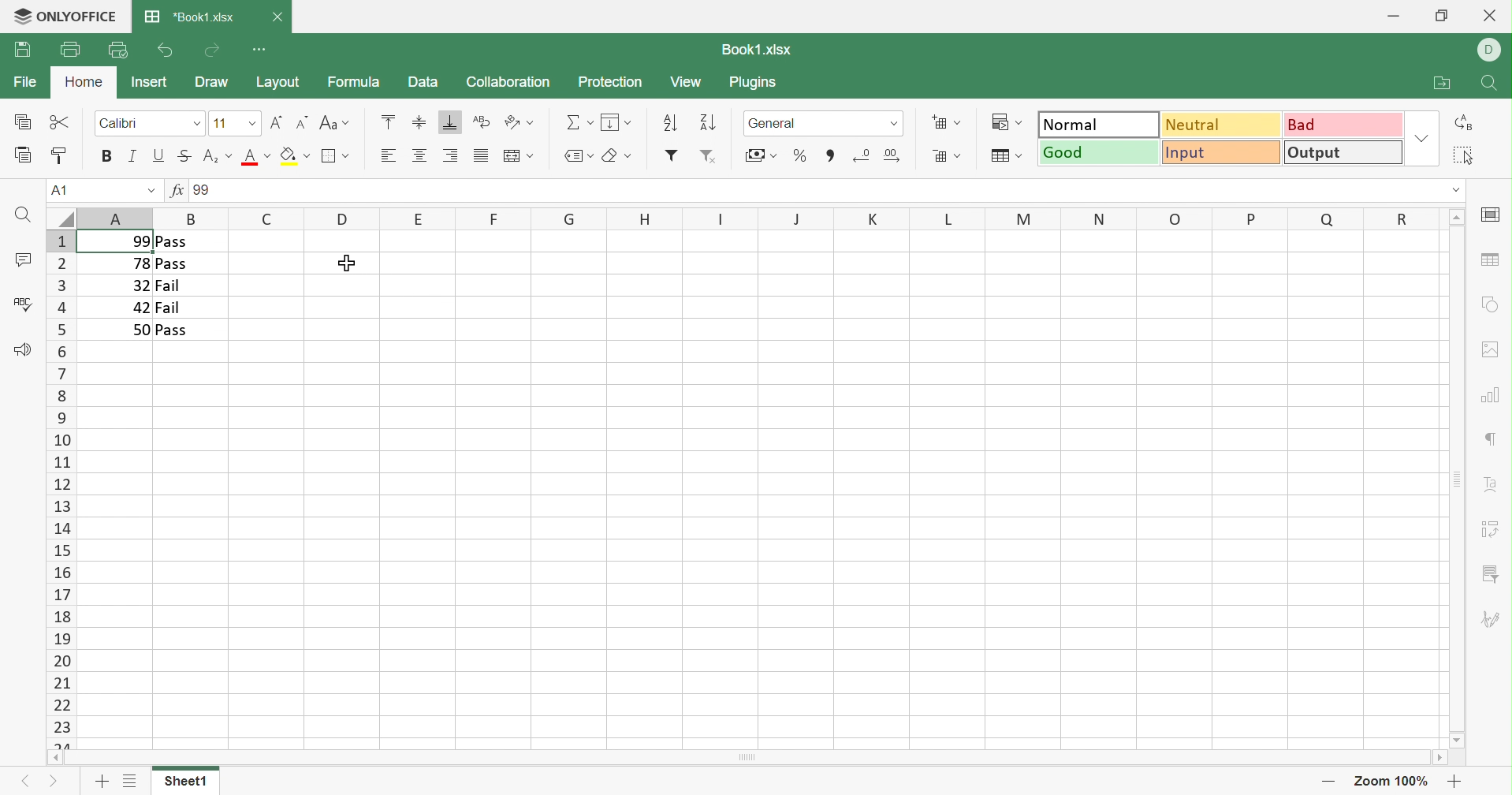 Image resolution: width=1512 pixels, height=795 pixels. I want to click on Named ranges, so click(576, 155).